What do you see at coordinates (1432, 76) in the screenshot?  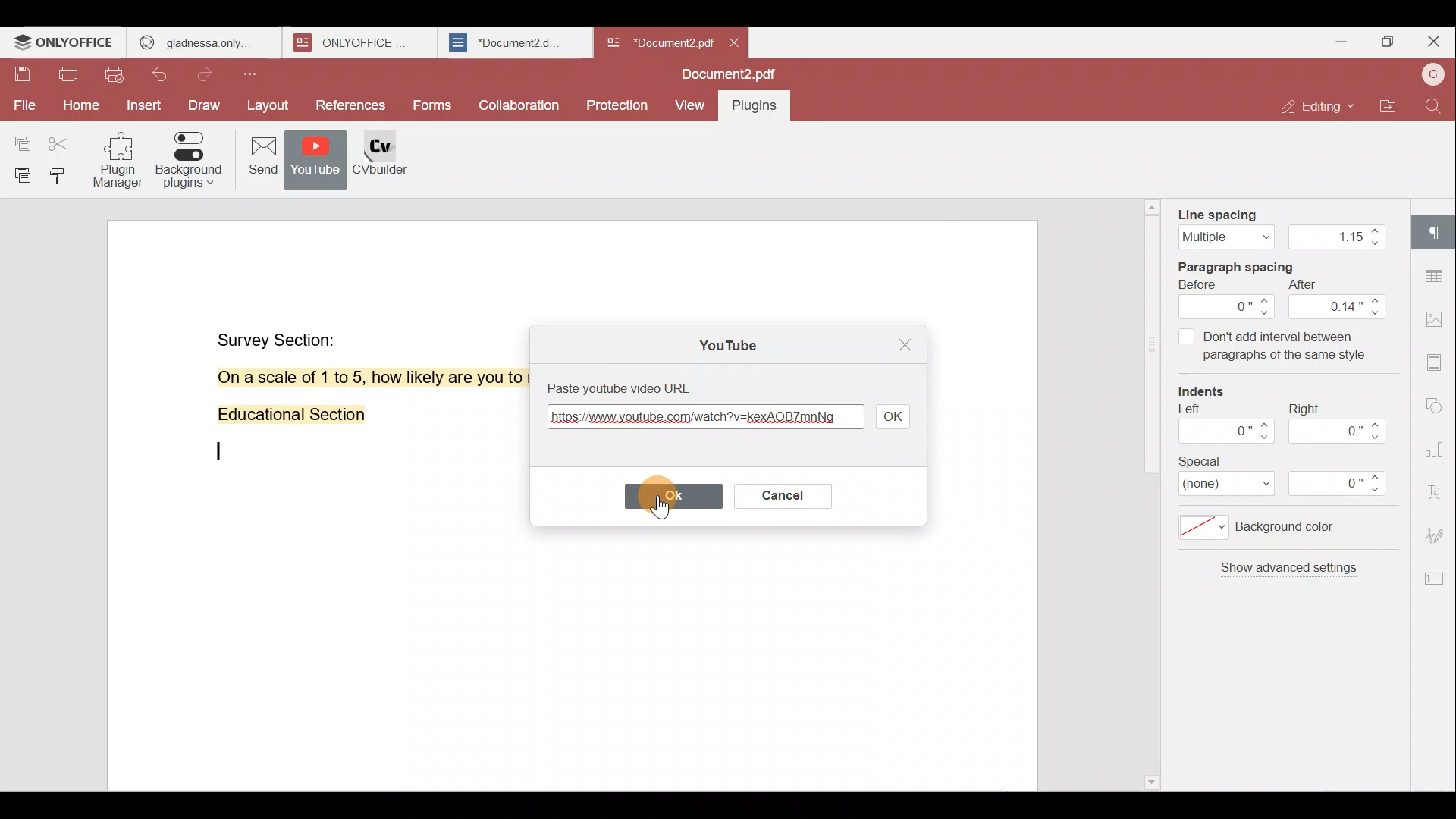 I see `Account name` at bounding box center [1432, 76].